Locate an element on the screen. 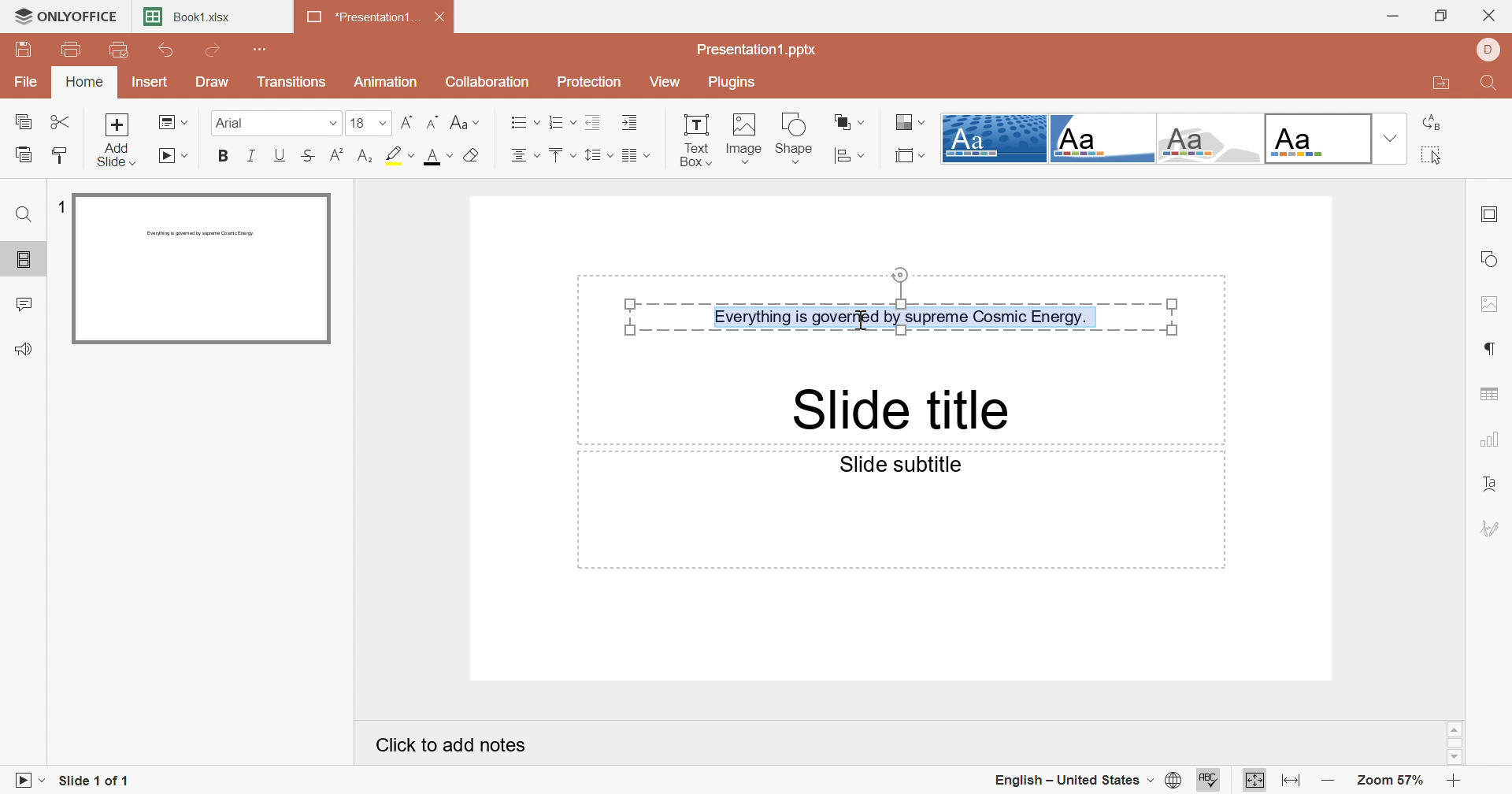  Transitions is located at coordinates (292, 81).